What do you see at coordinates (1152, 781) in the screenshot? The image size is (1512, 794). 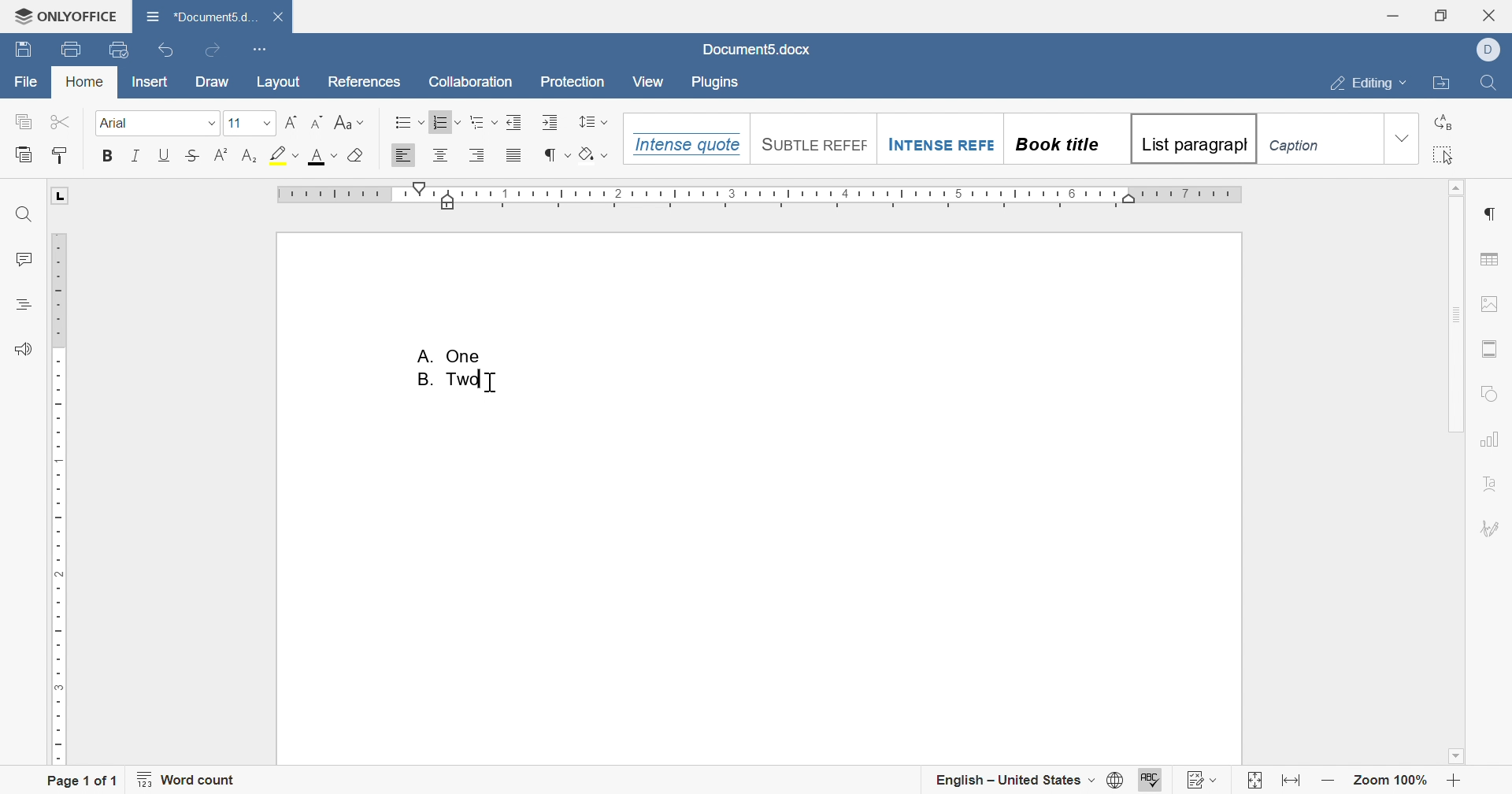 I see `spell checking` at bounding box center [1152, 781].